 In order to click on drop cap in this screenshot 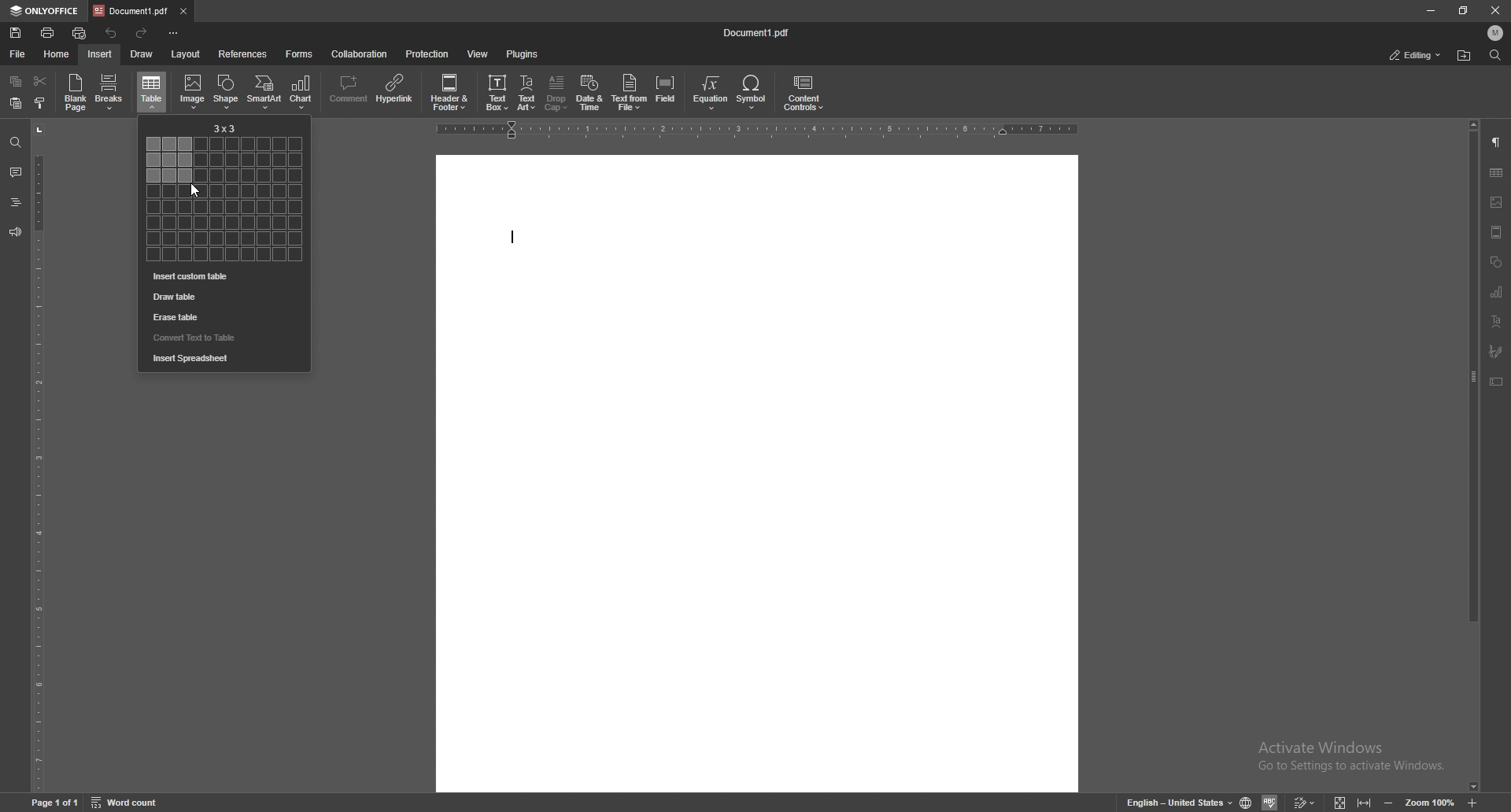, I will do `click(556, 93)`.